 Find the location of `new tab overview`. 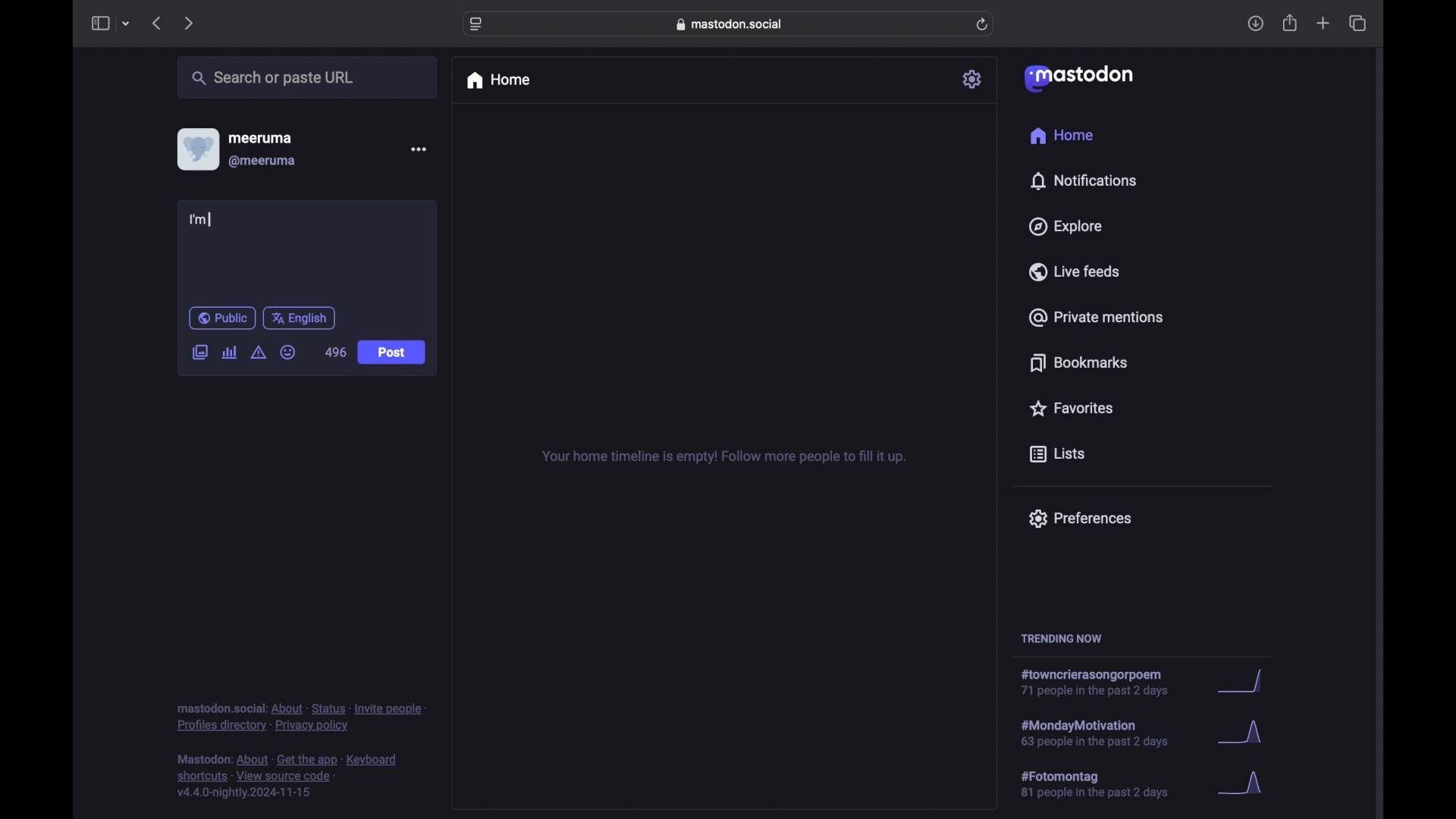

new tab overview is located at coordinates (1323, 23).